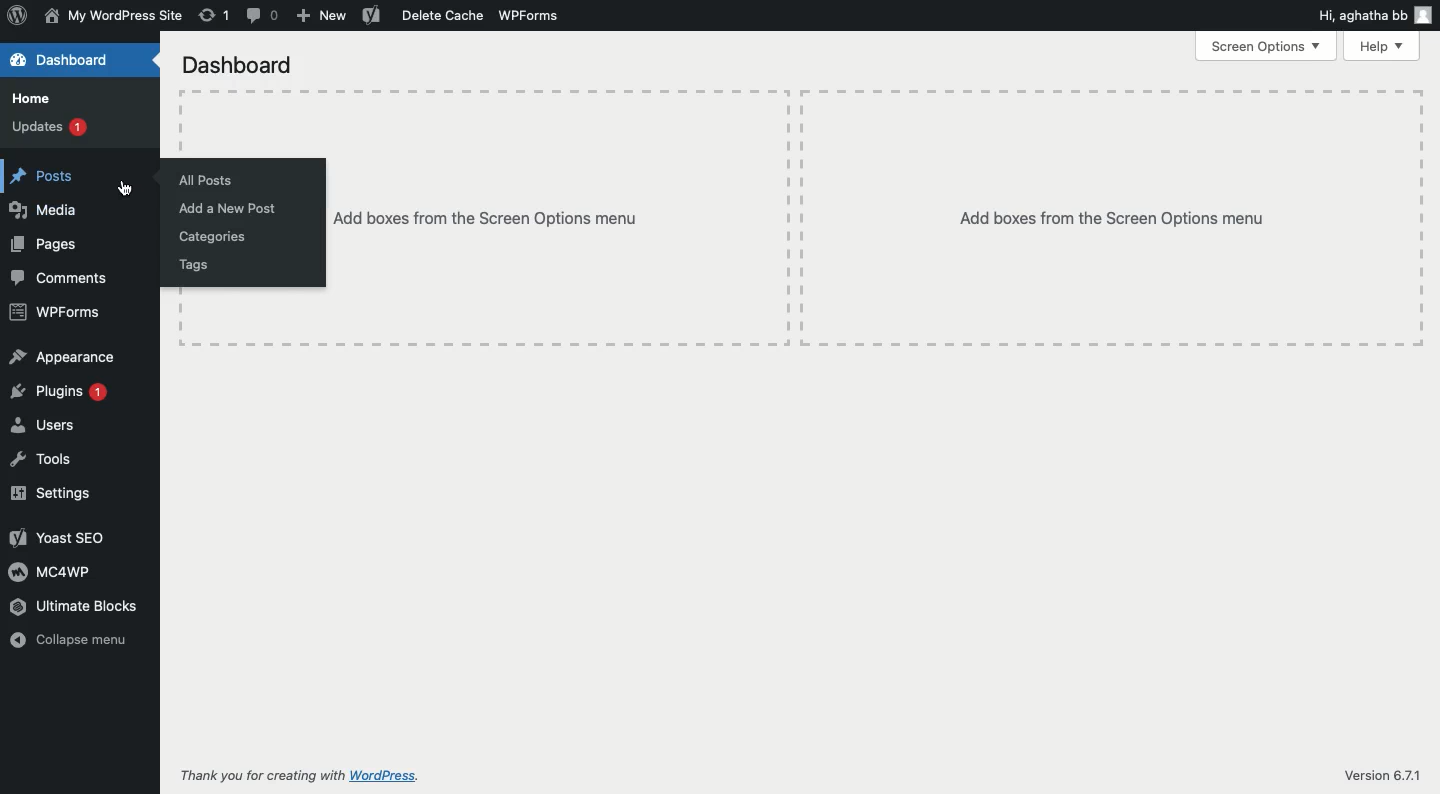 The width and height of the screenshot is (1440, 794). What do you see at coordinates (62, 353) in the screenshot?
I see `Appearance` at bounding box center [62, 353].